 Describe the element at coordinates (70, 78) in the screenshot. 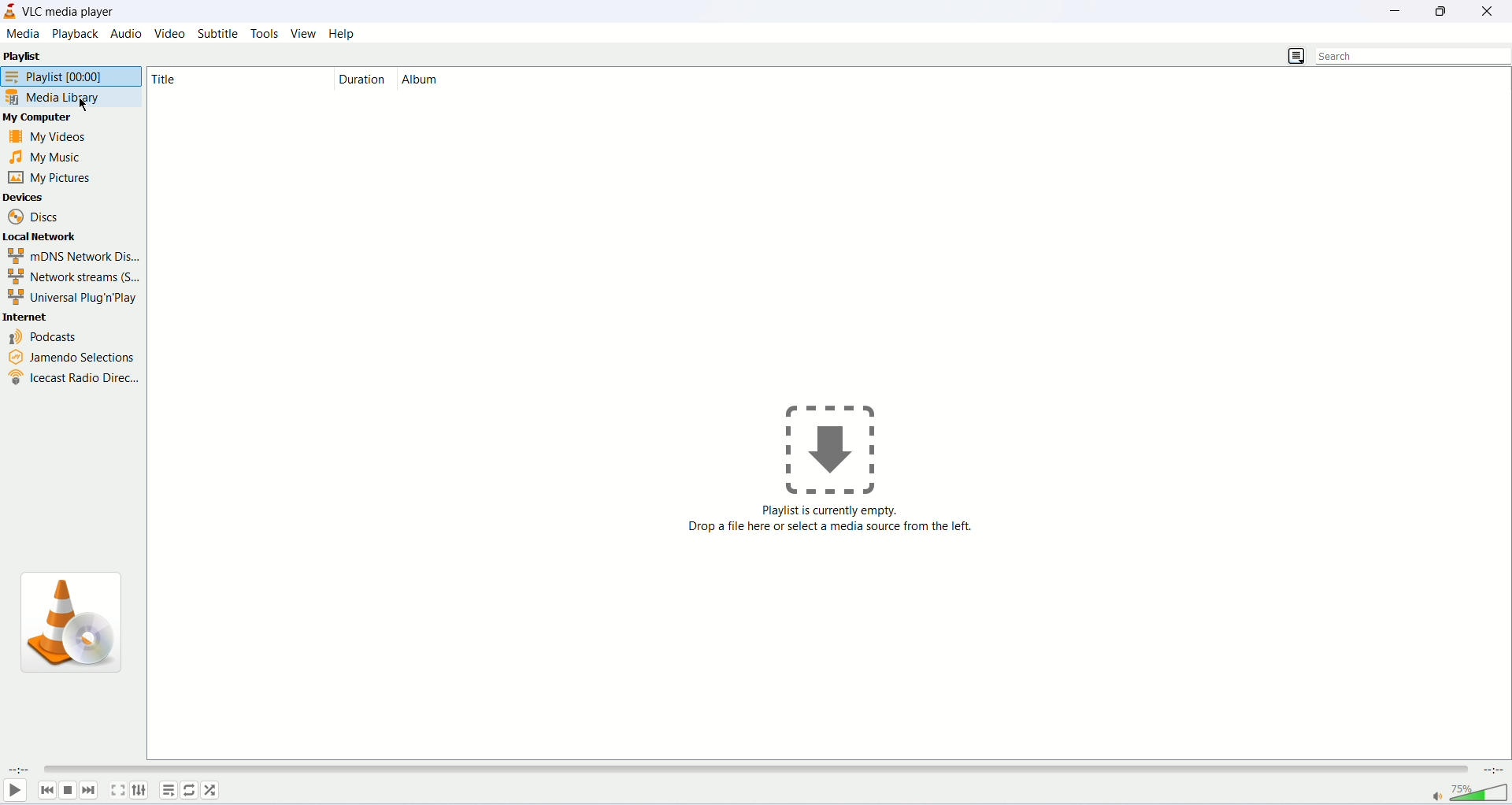

I see `playlist` at that location.